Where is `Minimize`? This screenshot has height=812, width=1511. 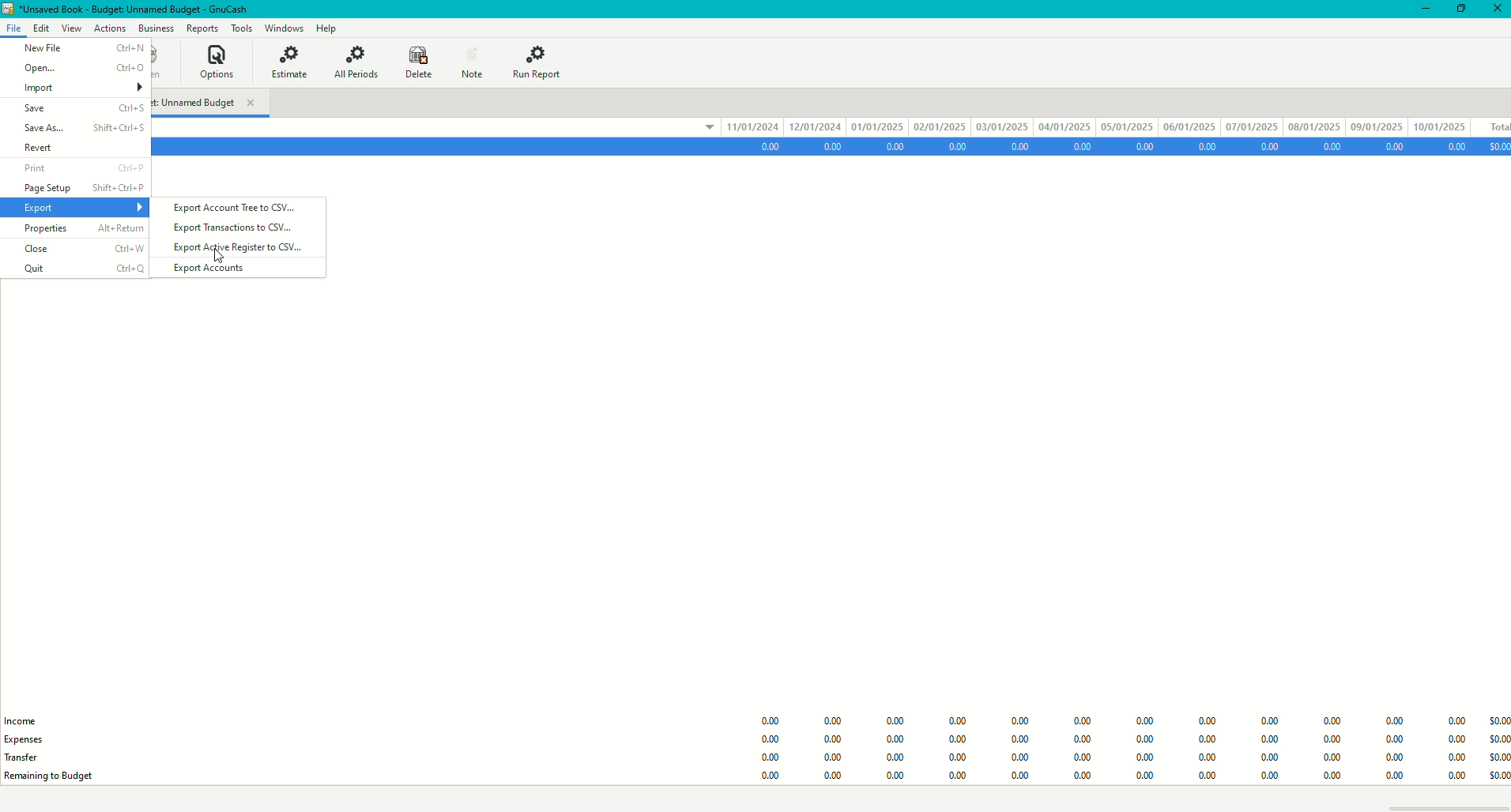 Minimize is located at coordinates (1425, 8).